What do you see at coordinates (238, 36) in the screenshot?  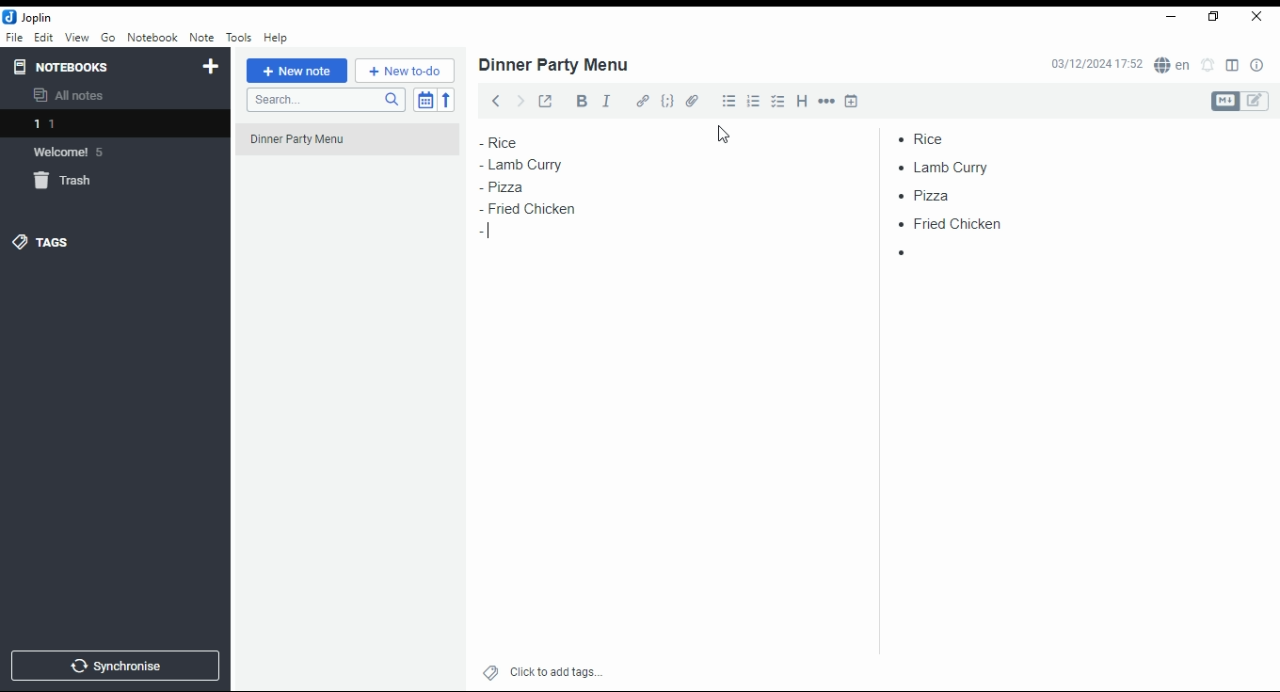 I see `tools` at bounding box center [238, 36].